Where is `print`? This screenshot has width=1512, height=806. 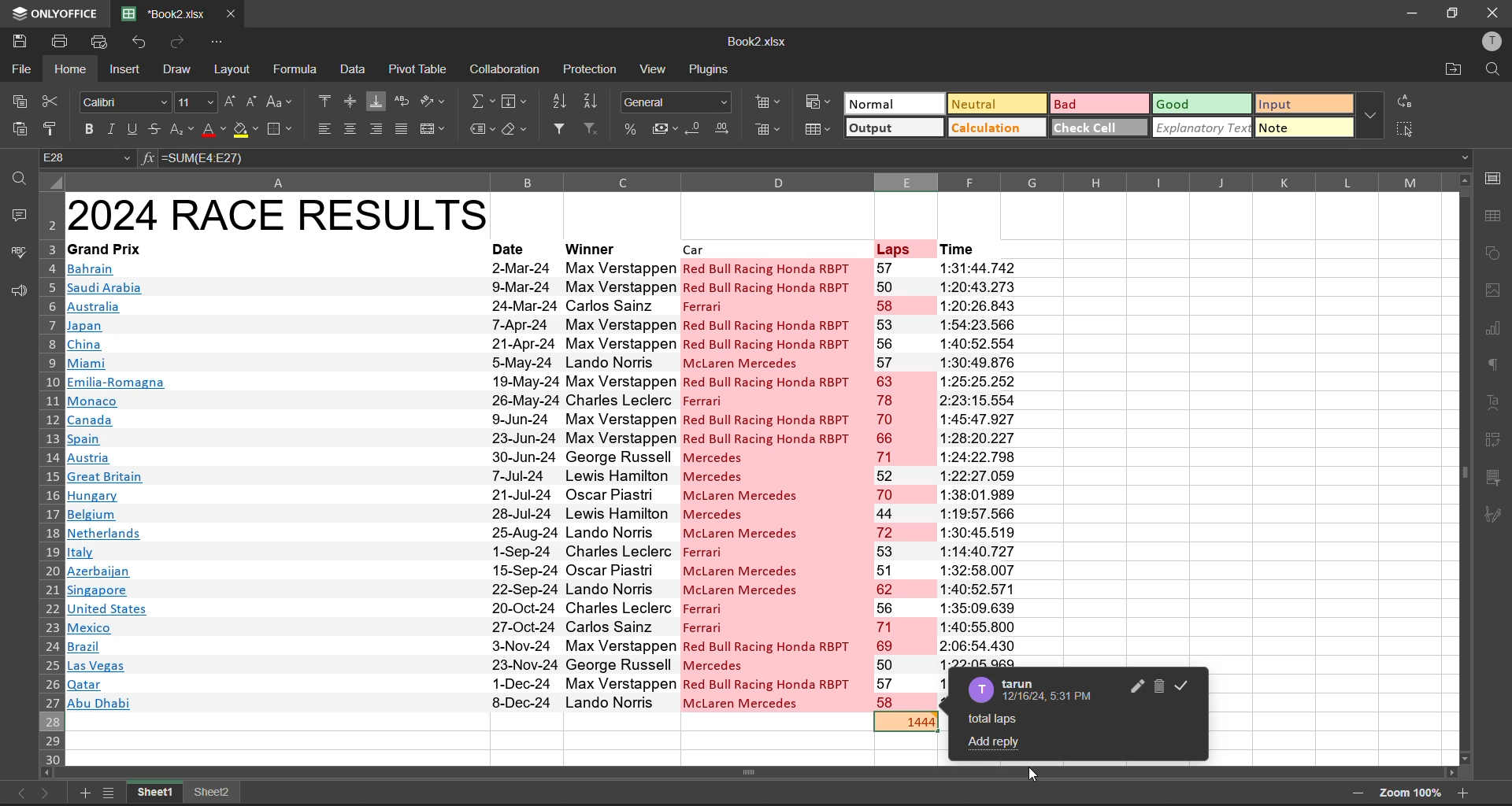 print is located at coordinates (60, 41).